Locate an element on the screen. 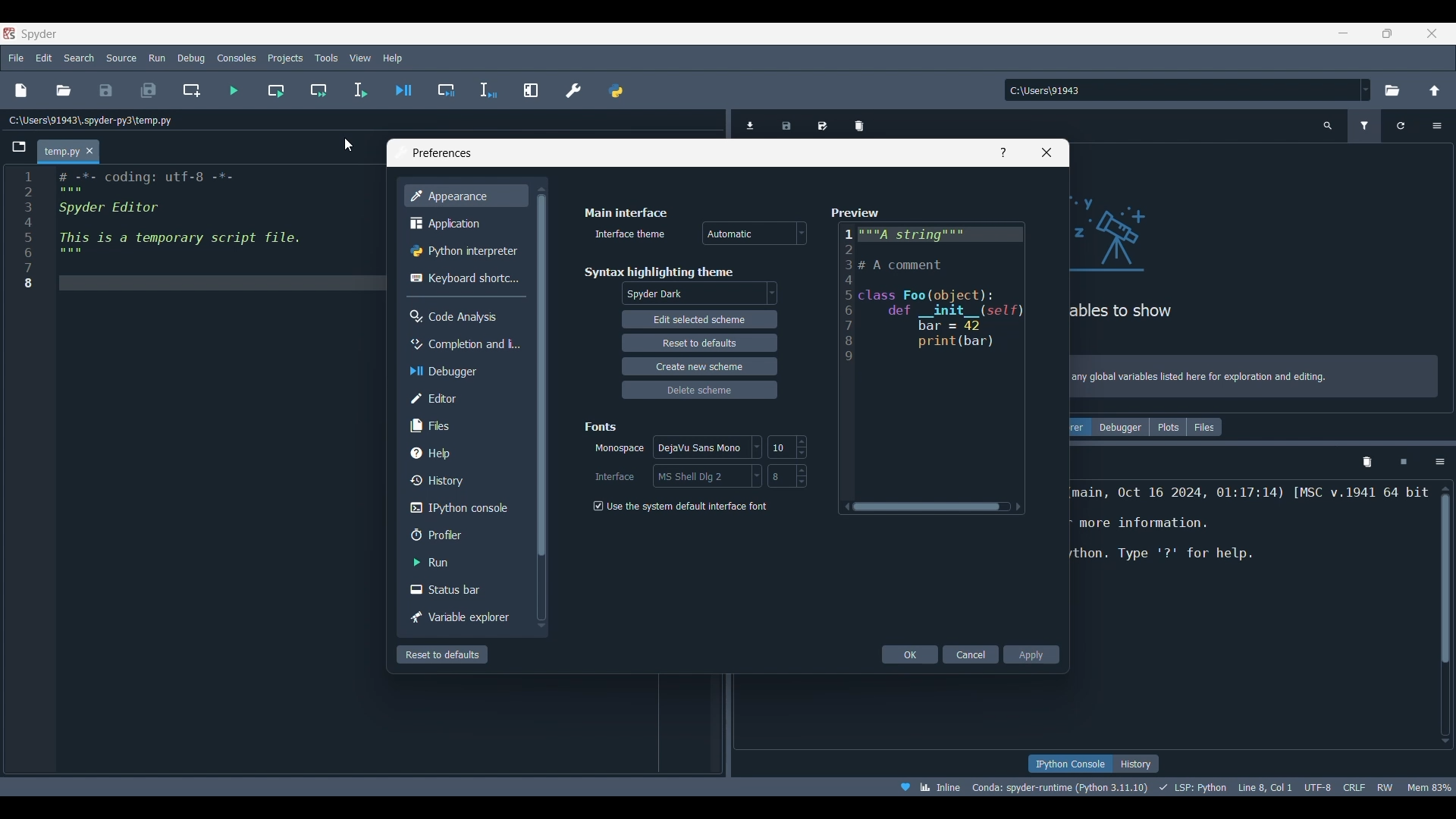 This screenshot has width=1456, height=819. scrollbar is located at coordinates (932, 505).